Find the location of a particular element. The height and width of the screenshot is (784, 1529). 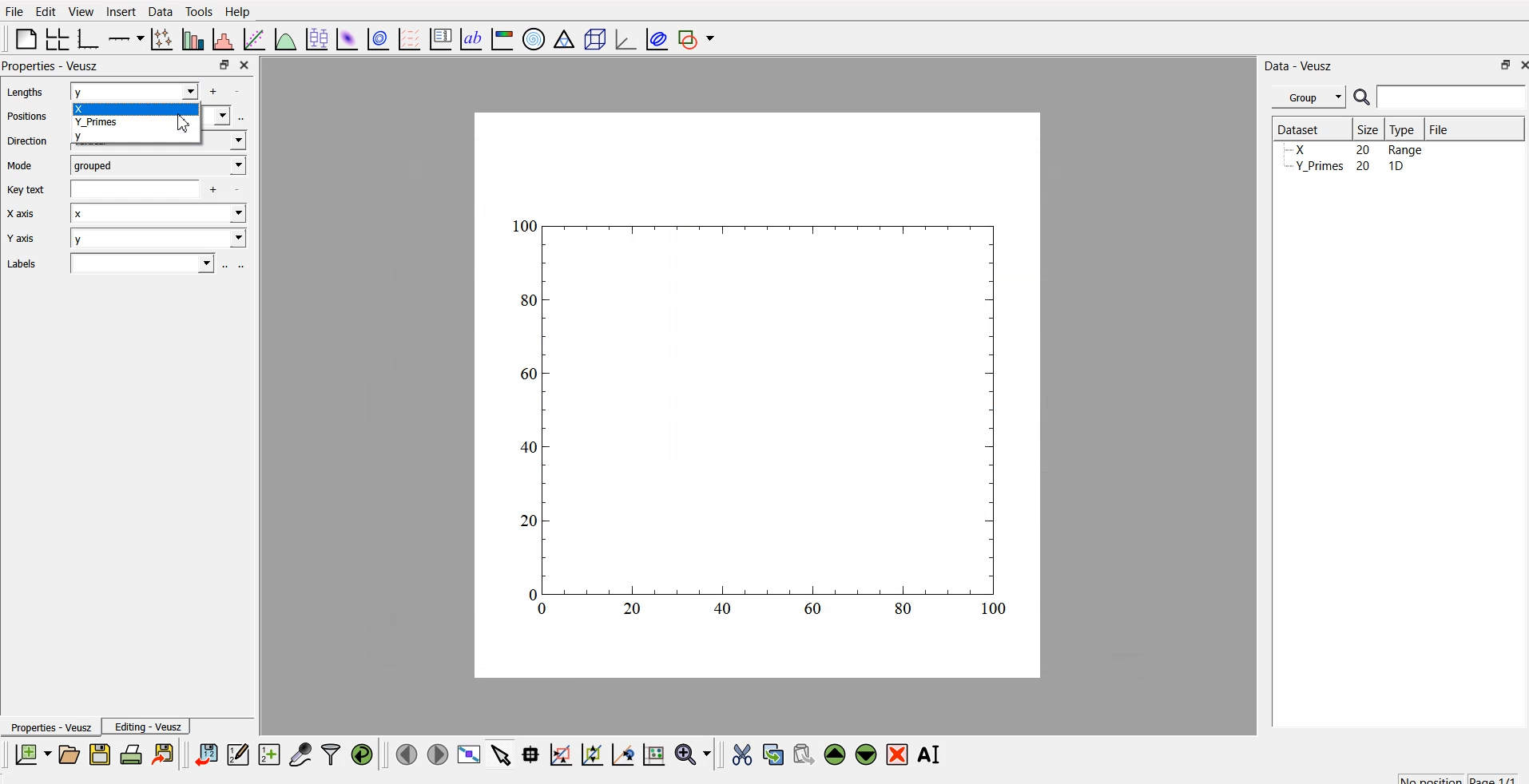

fit function to data is located at coordinates (252, 38).